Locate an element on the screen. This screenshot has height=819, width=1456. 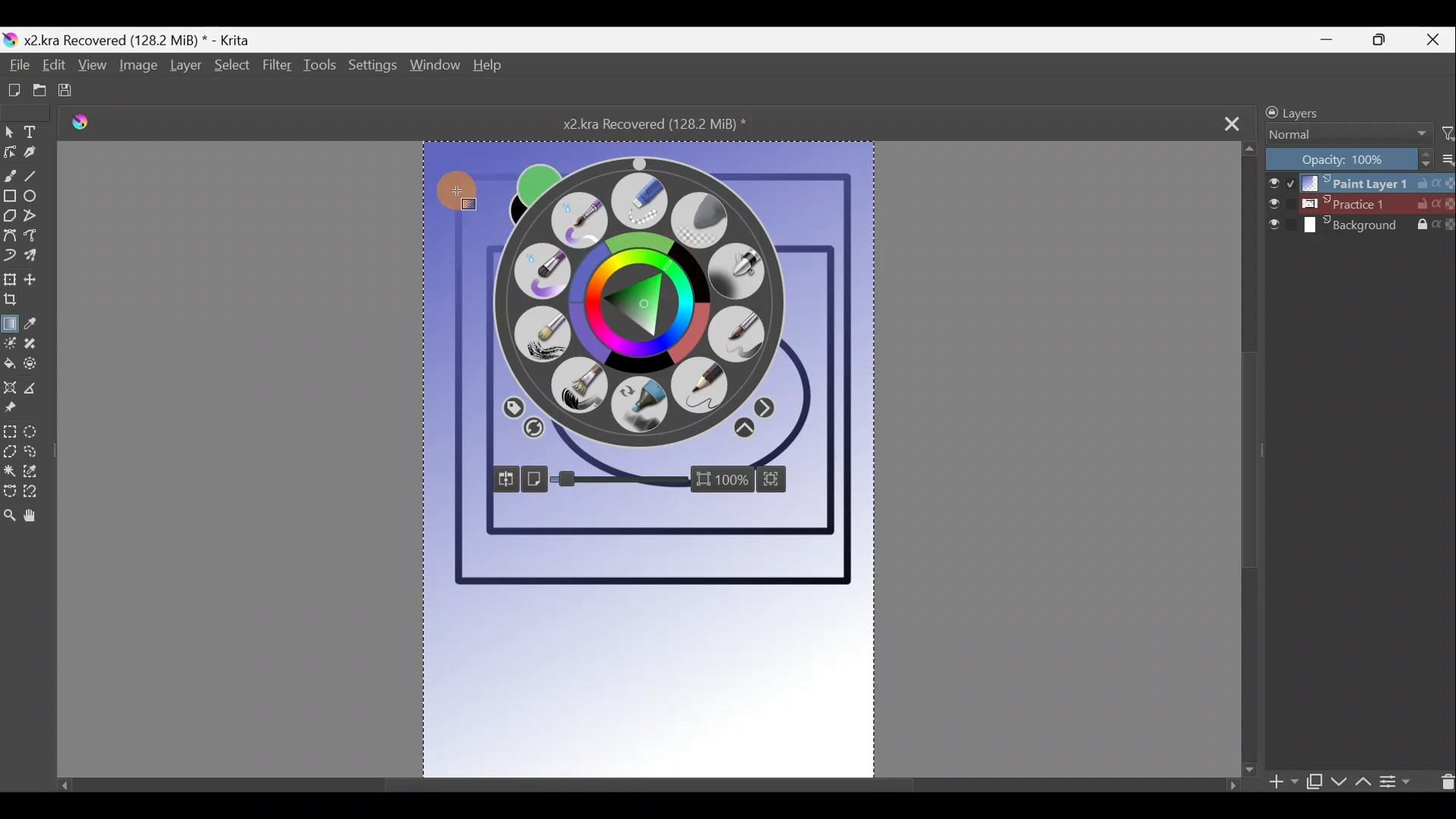
Fit canvas to view is located at coordinates (785, 479).